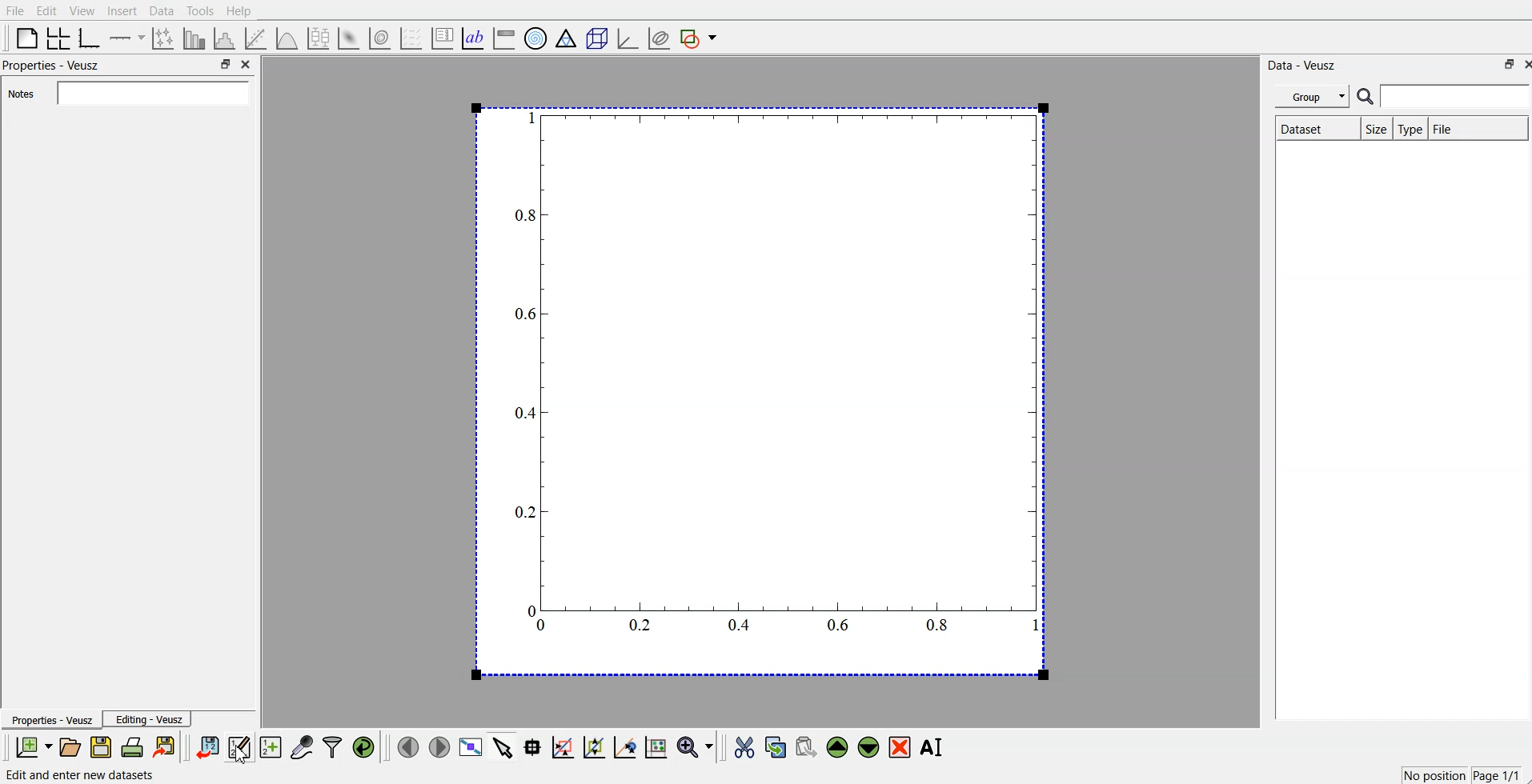  Describe the element at coordinates (468, 748) in the screenshot. I see `view data points full screen` at that location.